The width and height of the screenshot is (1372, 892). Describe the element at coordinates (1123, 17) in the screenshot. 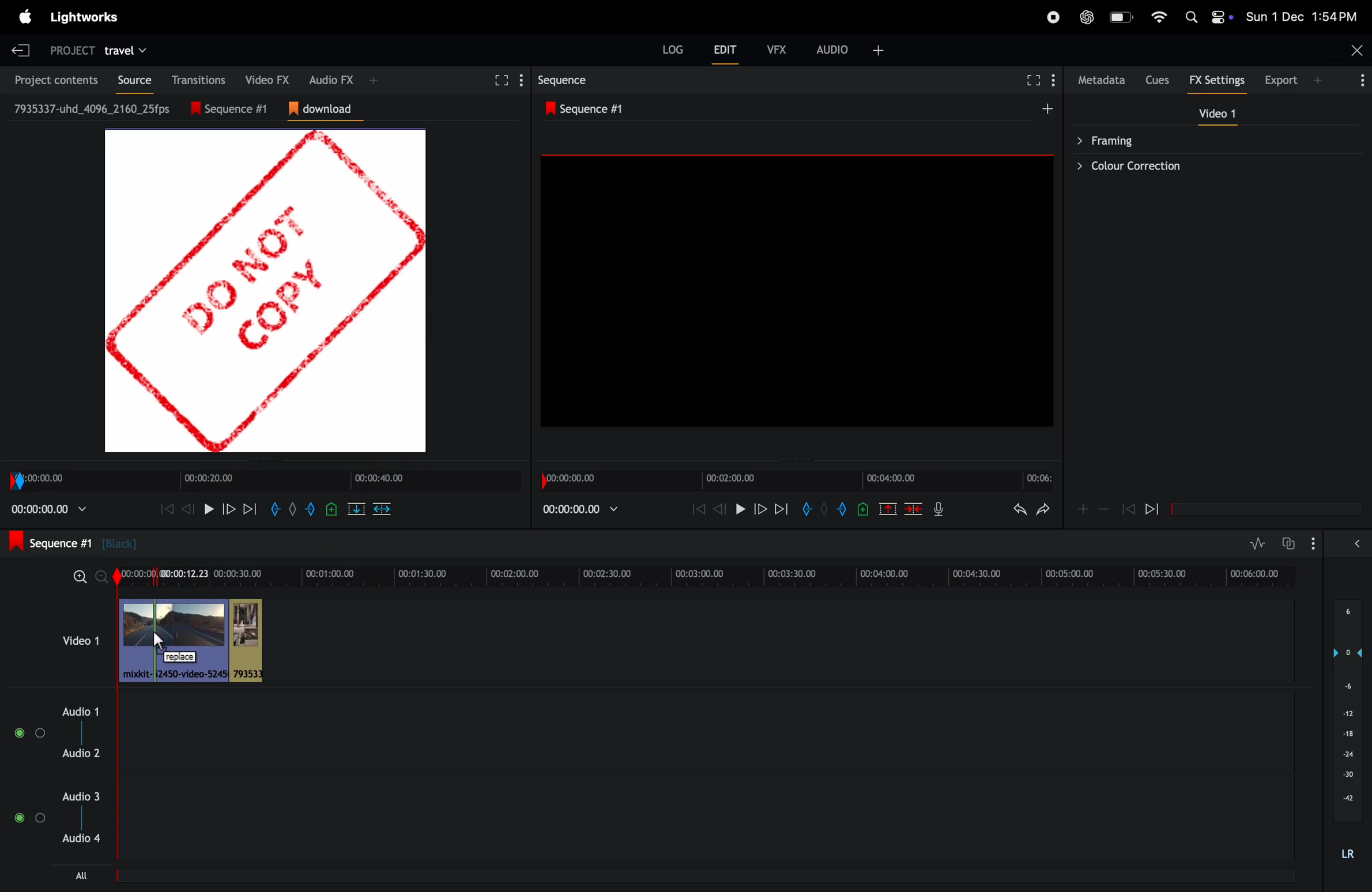

I see `battery` at that location.